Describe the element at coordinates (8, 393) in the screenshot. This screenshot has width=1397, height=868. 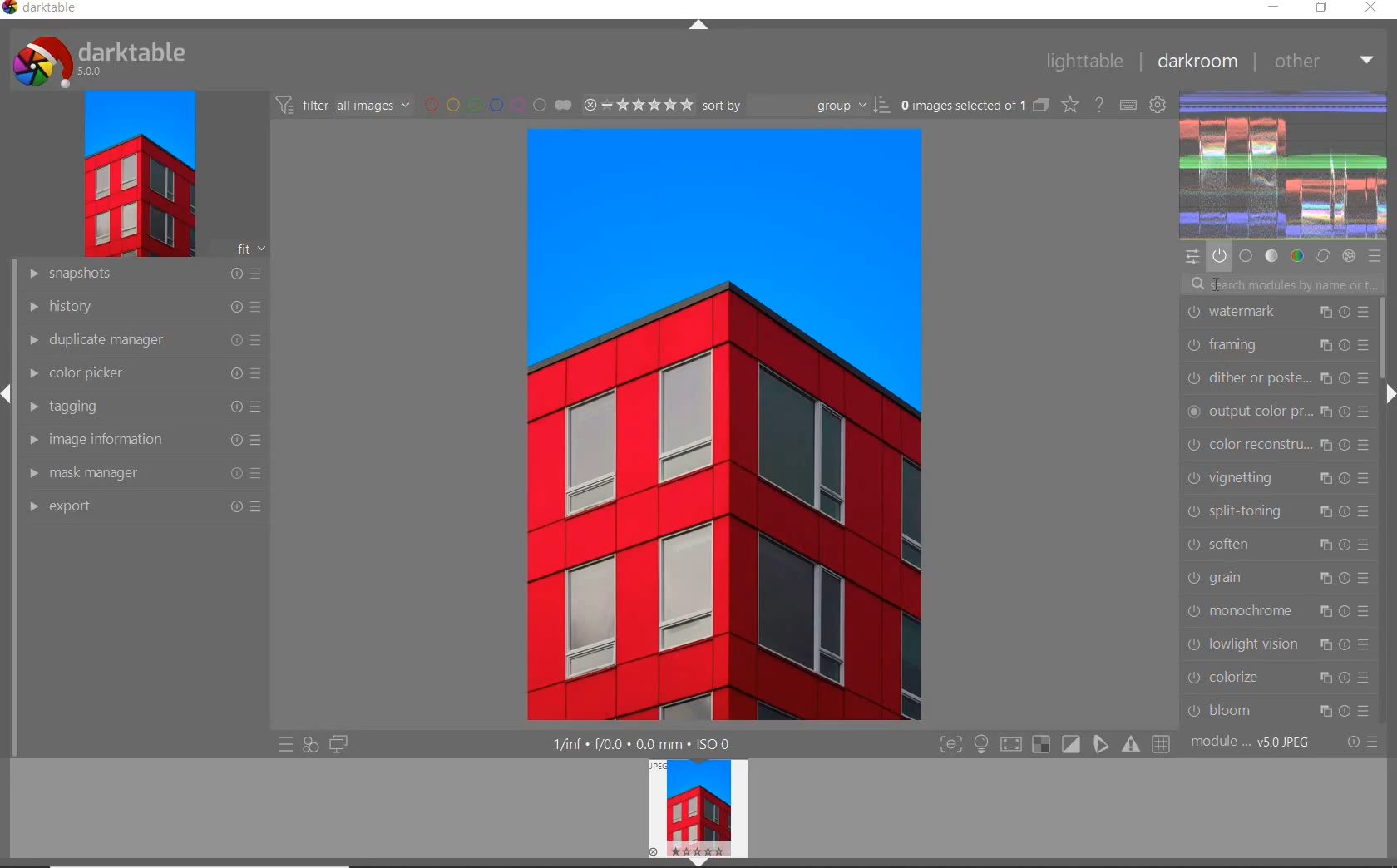
I see `expand/collapse` at that location.